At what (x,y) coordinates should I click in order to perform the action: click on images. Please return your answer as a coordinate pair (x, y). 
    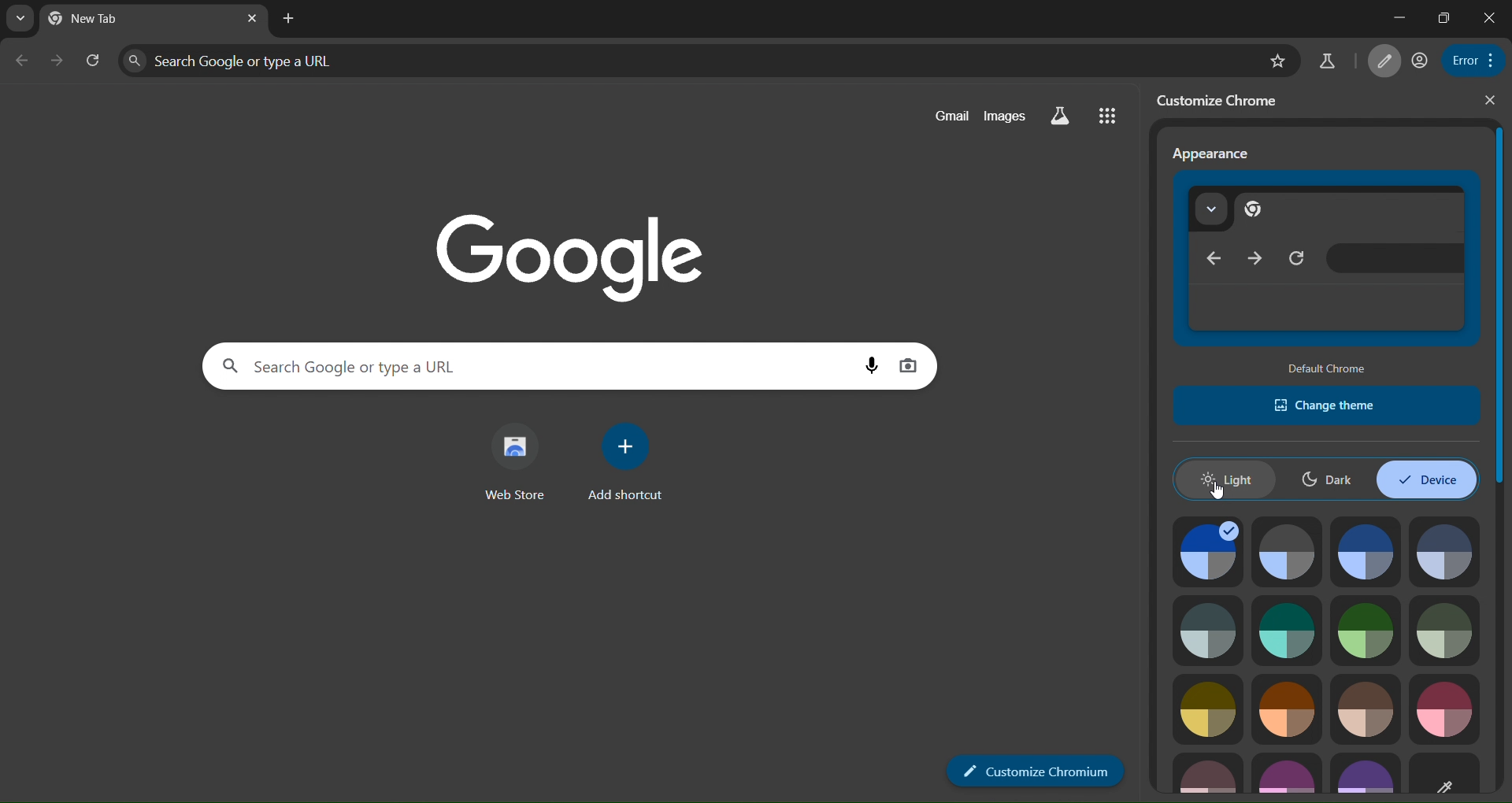
    Looking at the image, I should click on (1002, 113).